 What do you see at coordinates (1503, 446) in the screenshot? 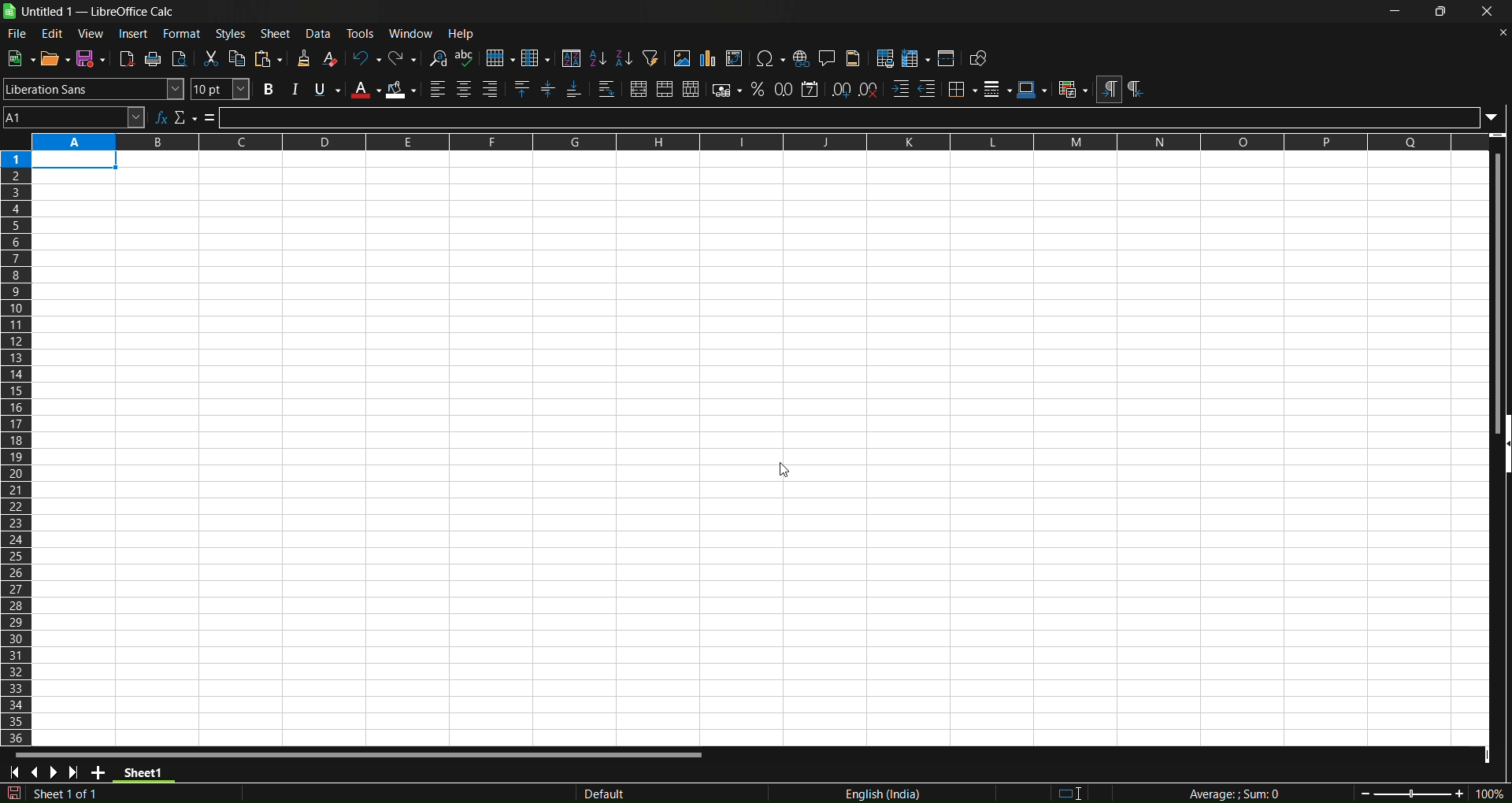
I see `hide` at bounding box center [1503, 446].